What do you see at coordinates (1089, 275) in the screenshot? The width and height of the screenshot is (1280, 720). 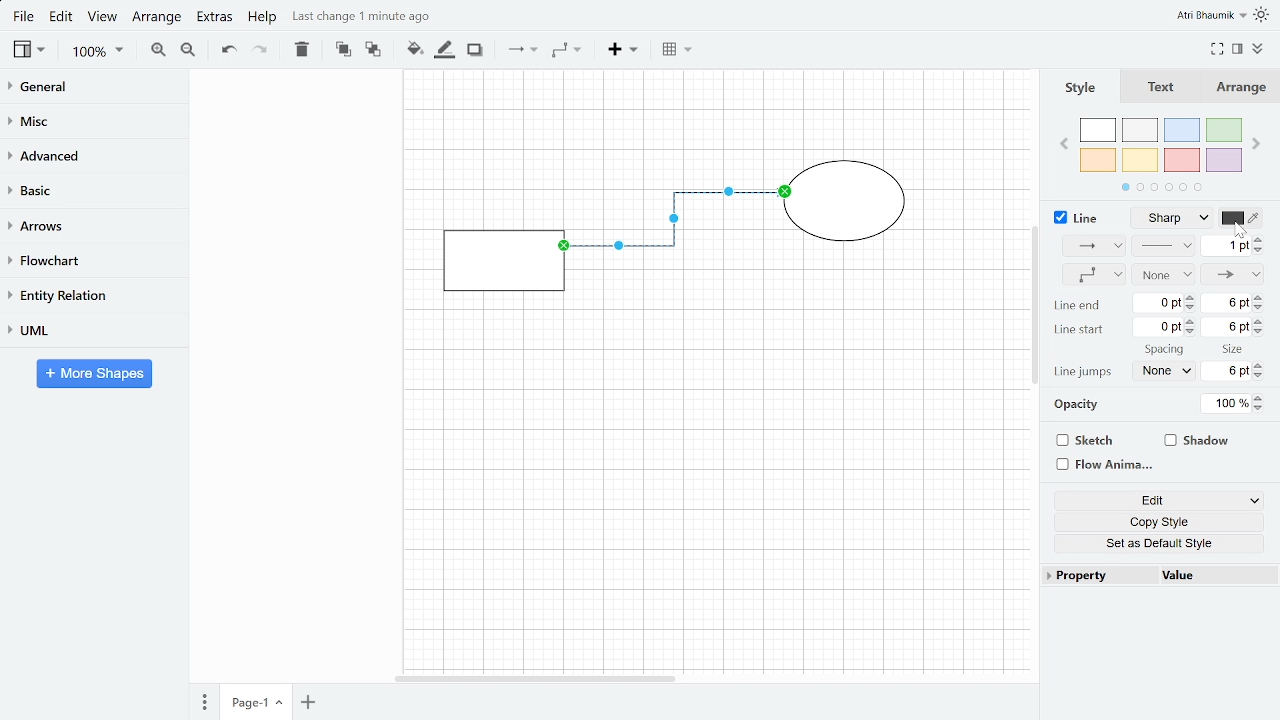 I see `Waypoints` at bounding box center [1089, 275].